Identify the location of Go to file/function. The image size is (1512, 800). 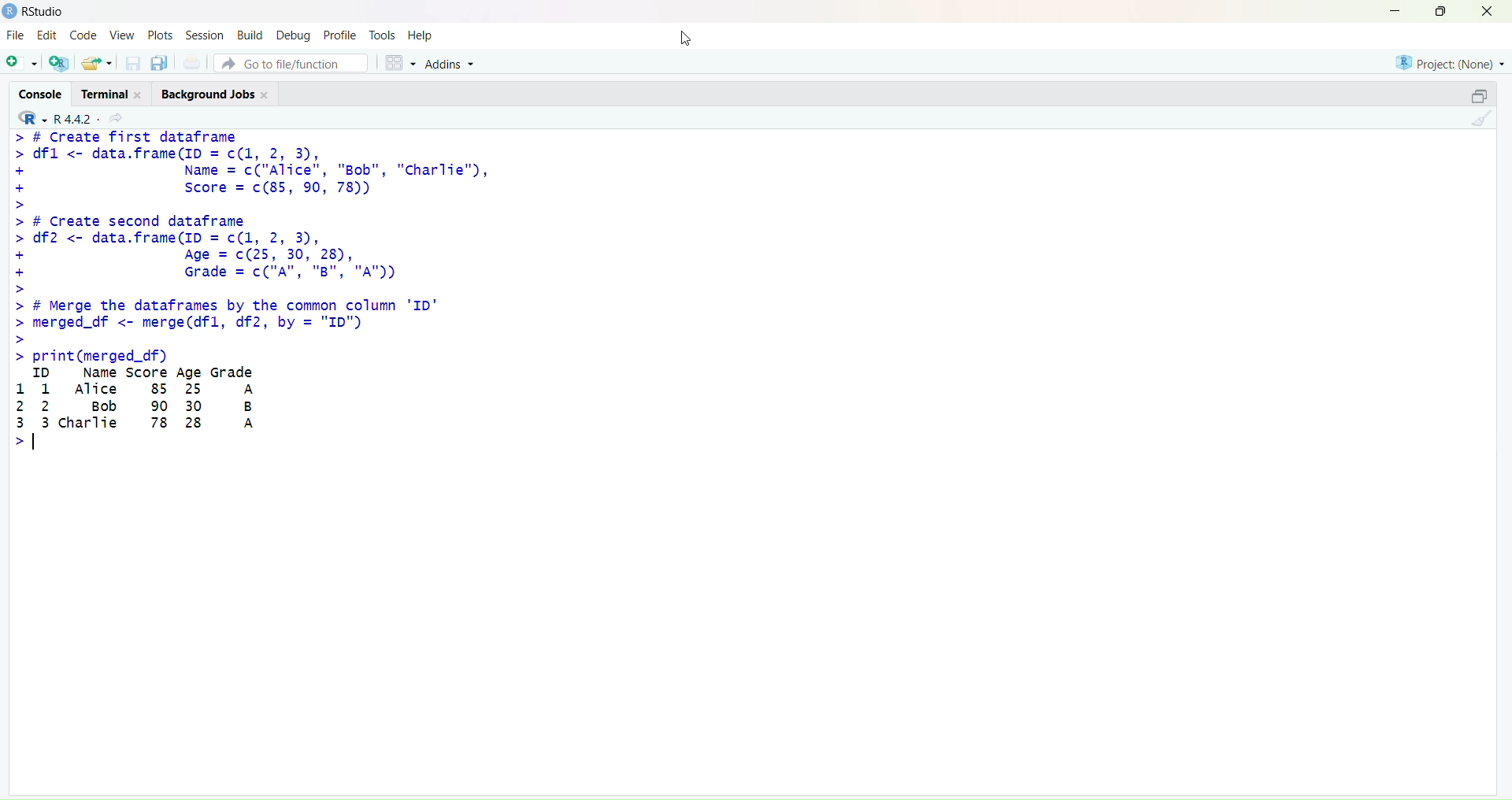
(291, 63).